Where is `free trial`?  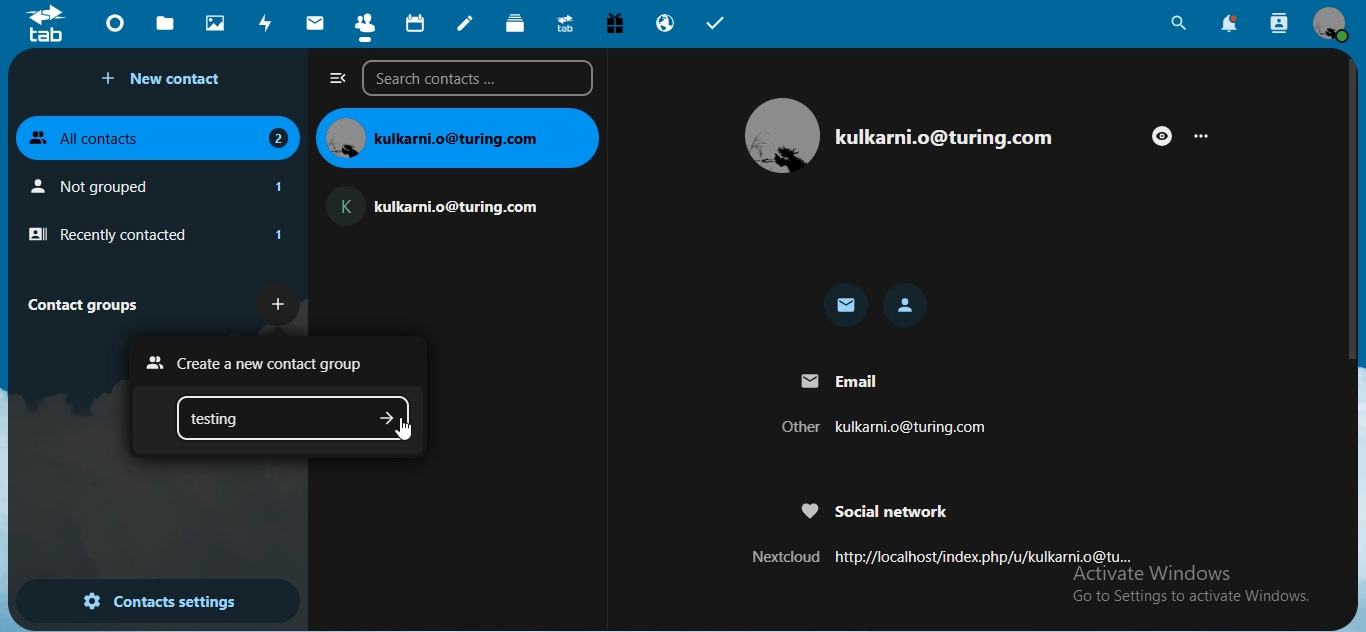 free trial is located at coordinates (618, 24).